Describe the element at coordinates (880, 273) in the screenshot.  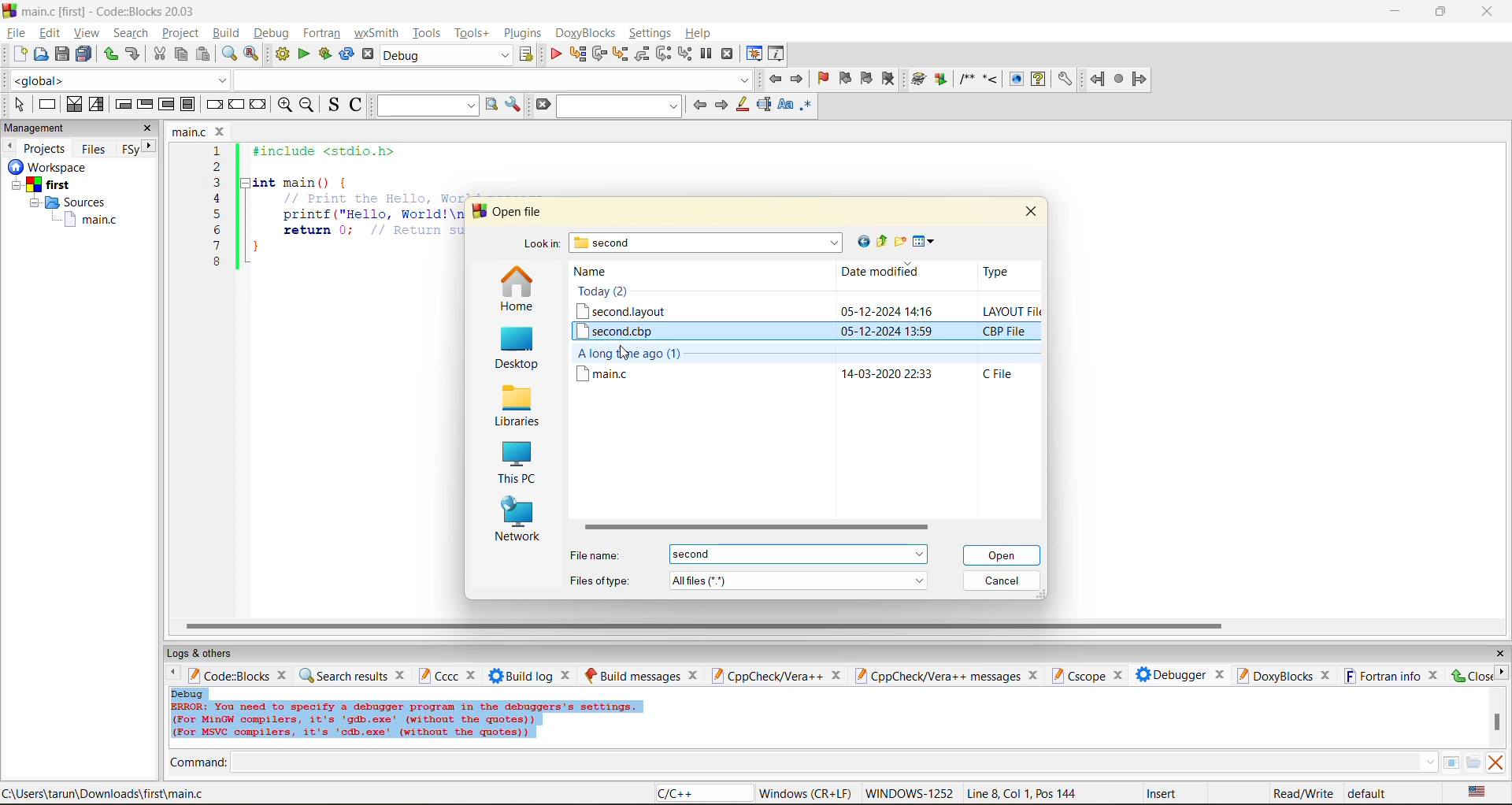
I see `date modified` at that location.